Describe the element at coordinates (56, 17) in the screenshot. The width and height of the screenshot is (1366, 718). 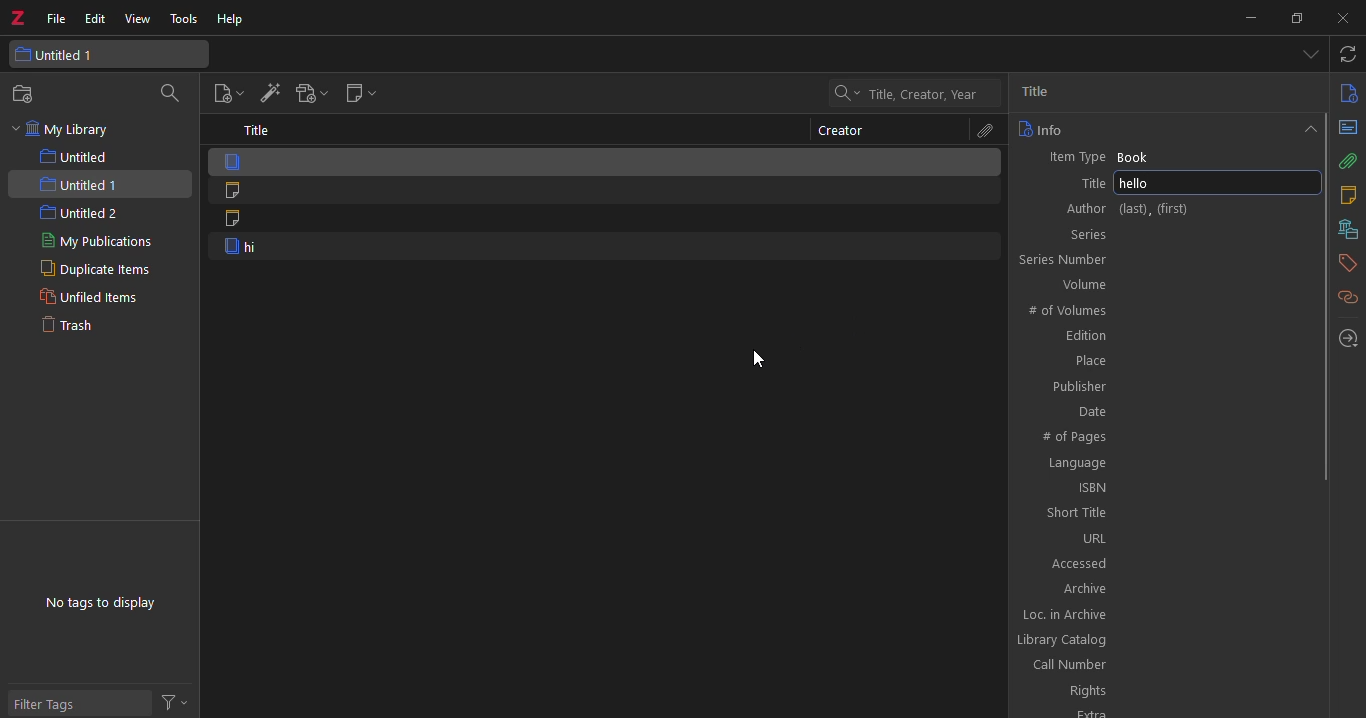
I see `file` at that location.